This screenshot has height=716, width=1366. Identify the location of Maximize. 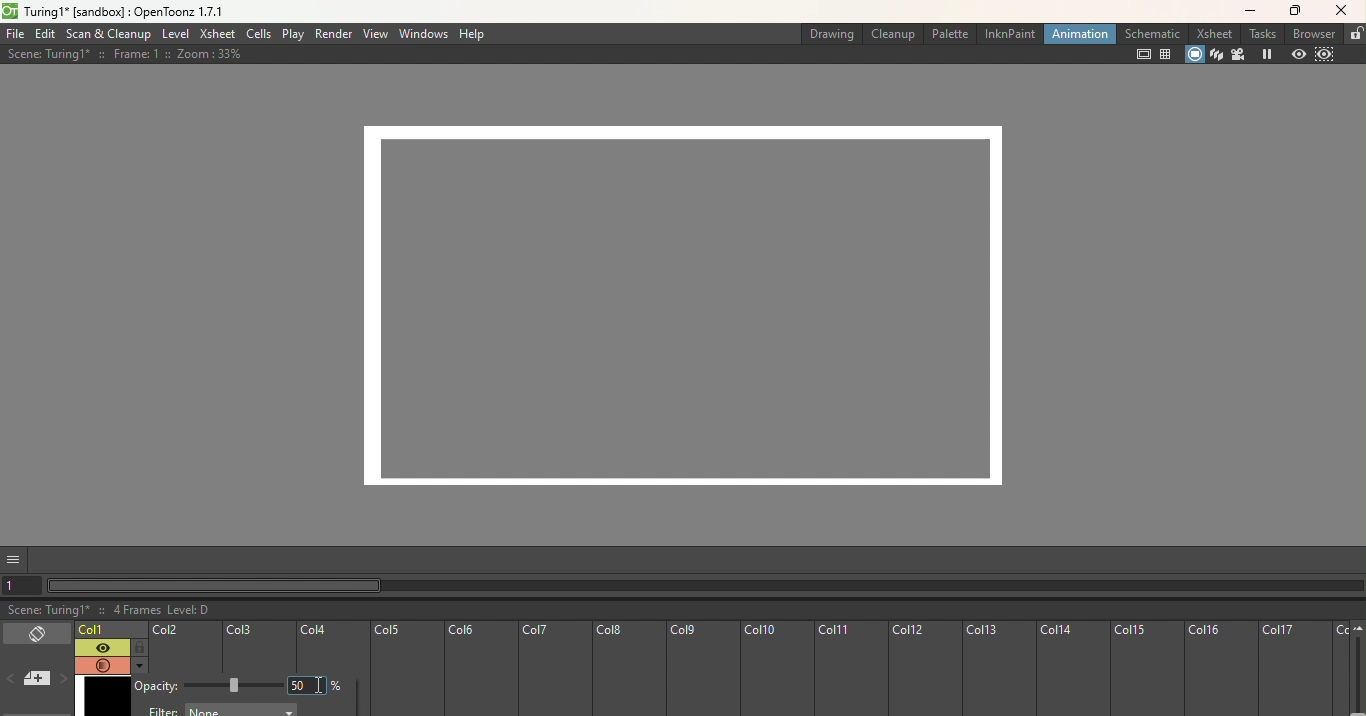
(1299, 10).